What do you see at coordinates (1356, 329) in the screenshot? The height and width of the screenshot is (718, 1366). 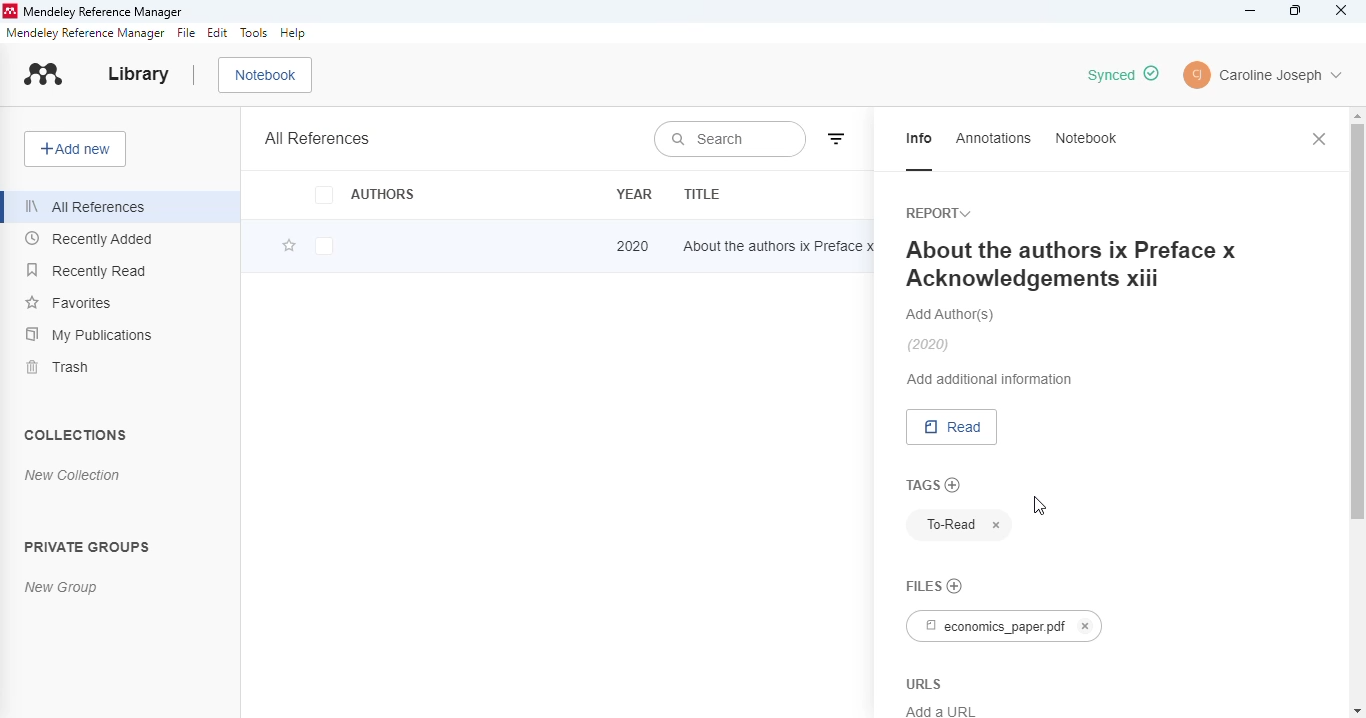 I see `vertical scroll bar` at bounding box center [1356, 329].